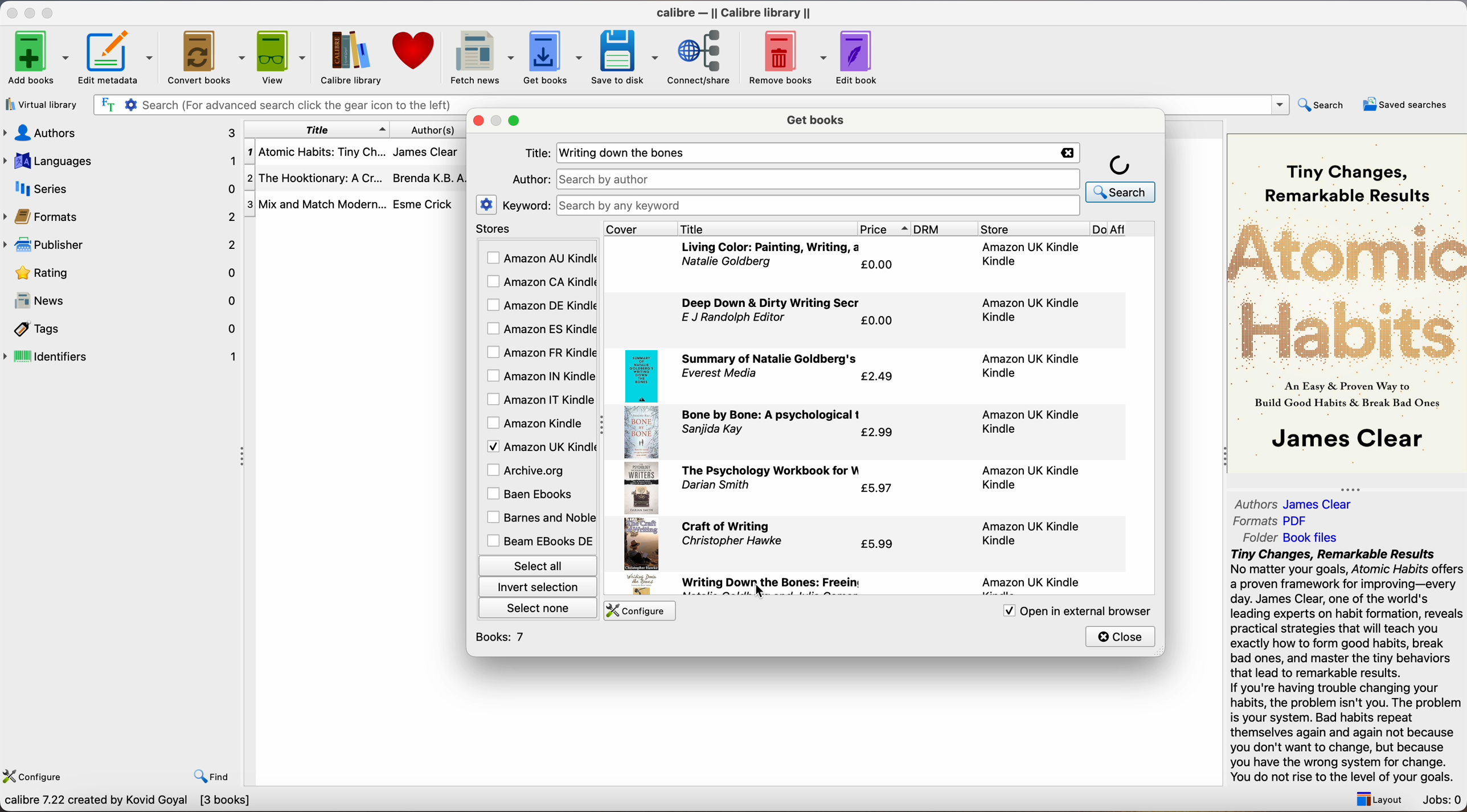  What do you see at coordinates (433, 178) in the screenshot?
I see `Brenda K.B.A...` at bounding box center [433, 178].